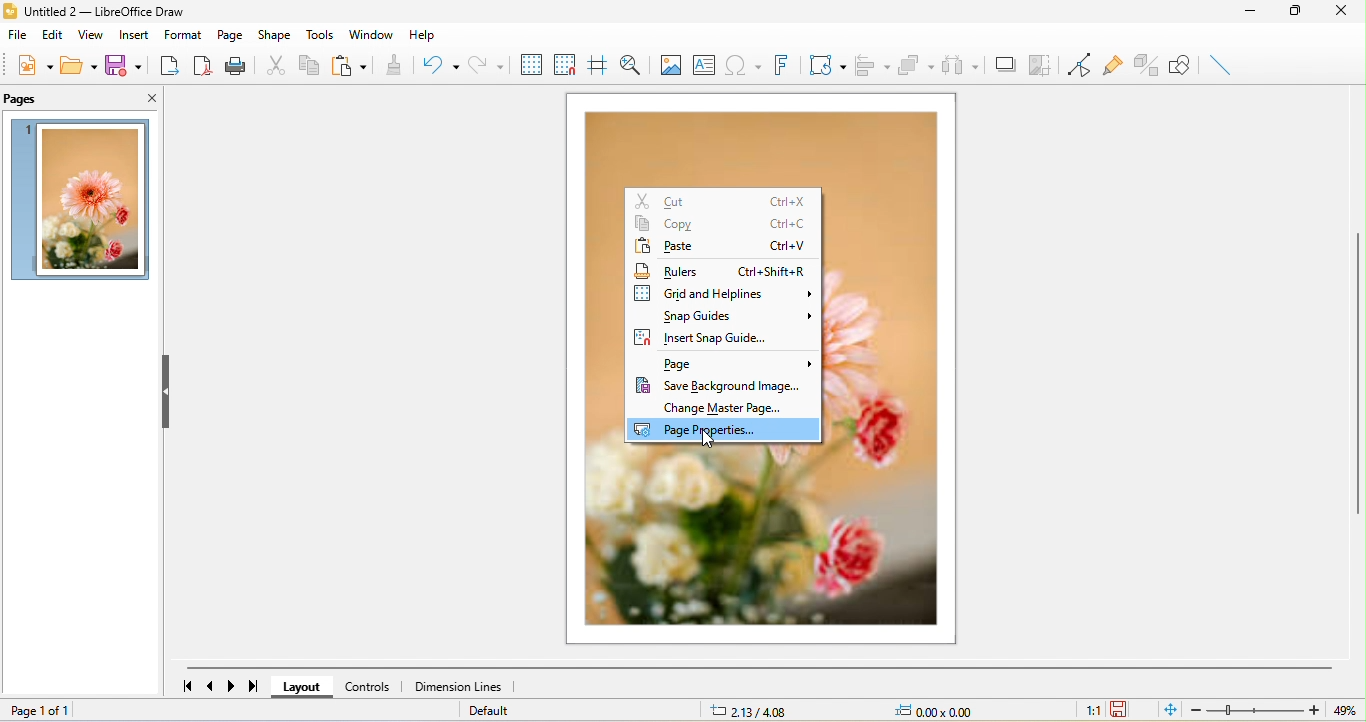  What do you see at coordinates (724, 223) in the screenshot?
I see `copy` at bounding box center [724, 223].